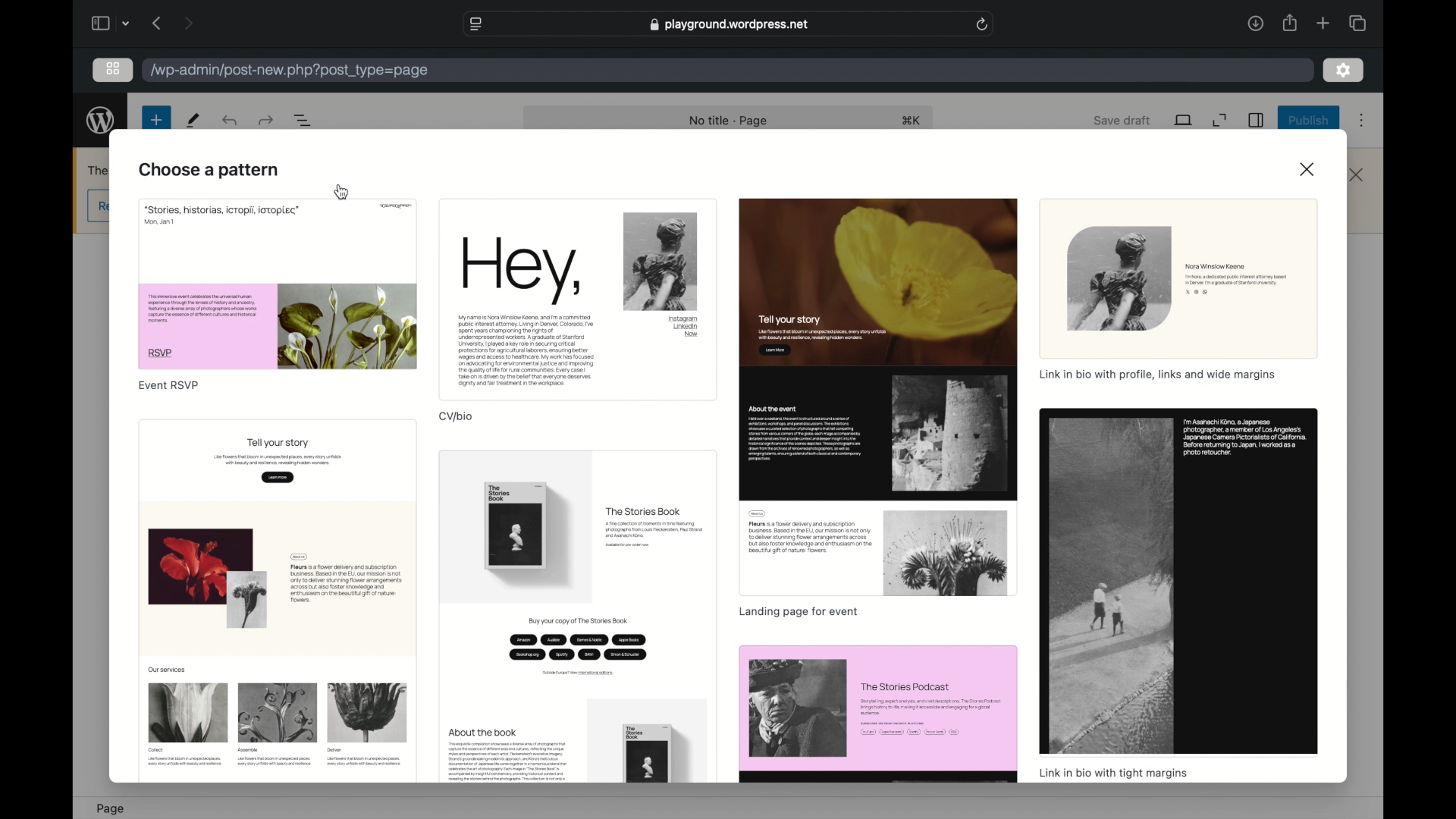  I want to click on wordpress, so click(101, 121).